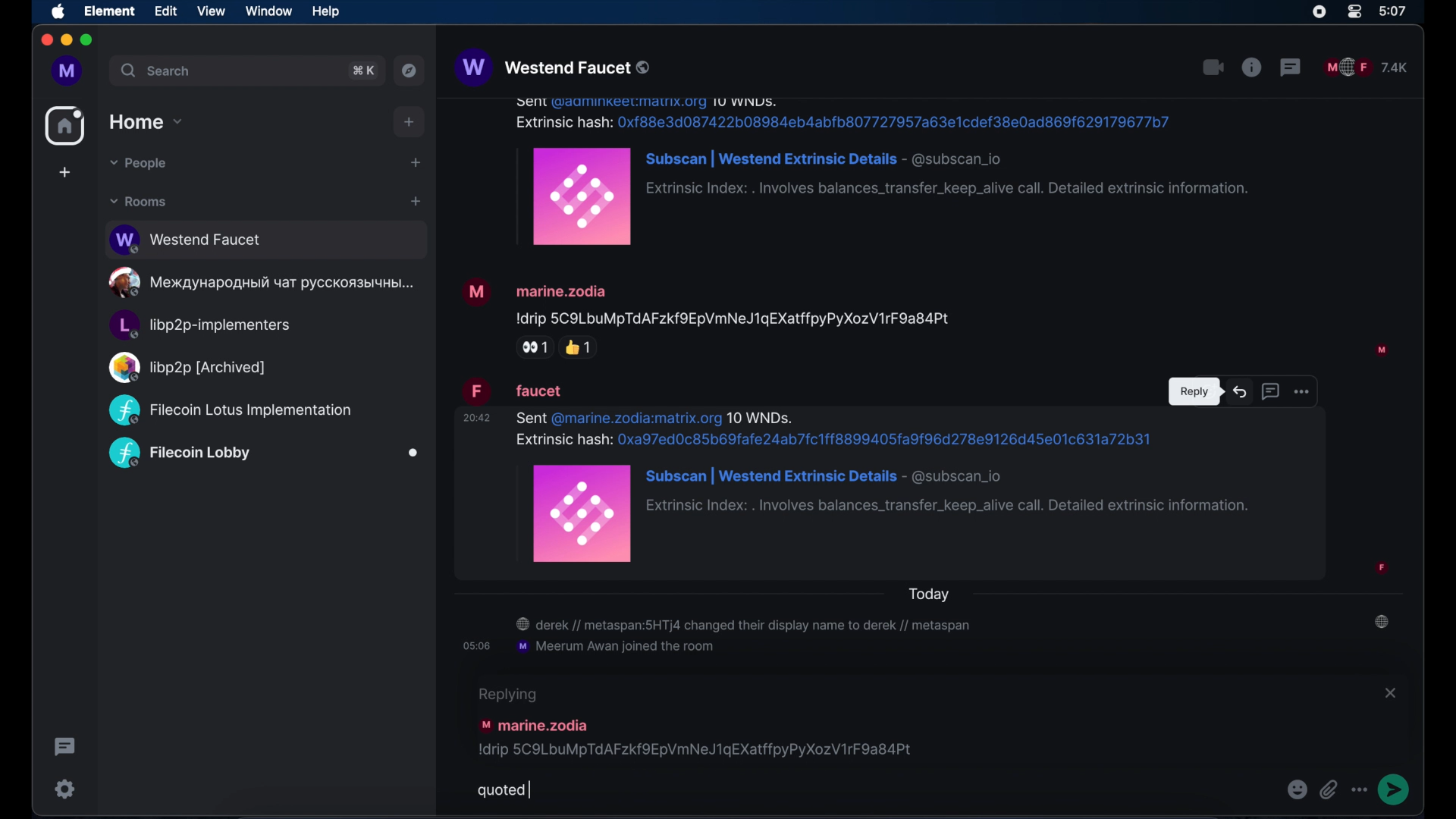 The image size is (1456, 819). What do you see at coordinates (931, 318) in the screenshot?
I see `message` at bounding box center [931, 318].